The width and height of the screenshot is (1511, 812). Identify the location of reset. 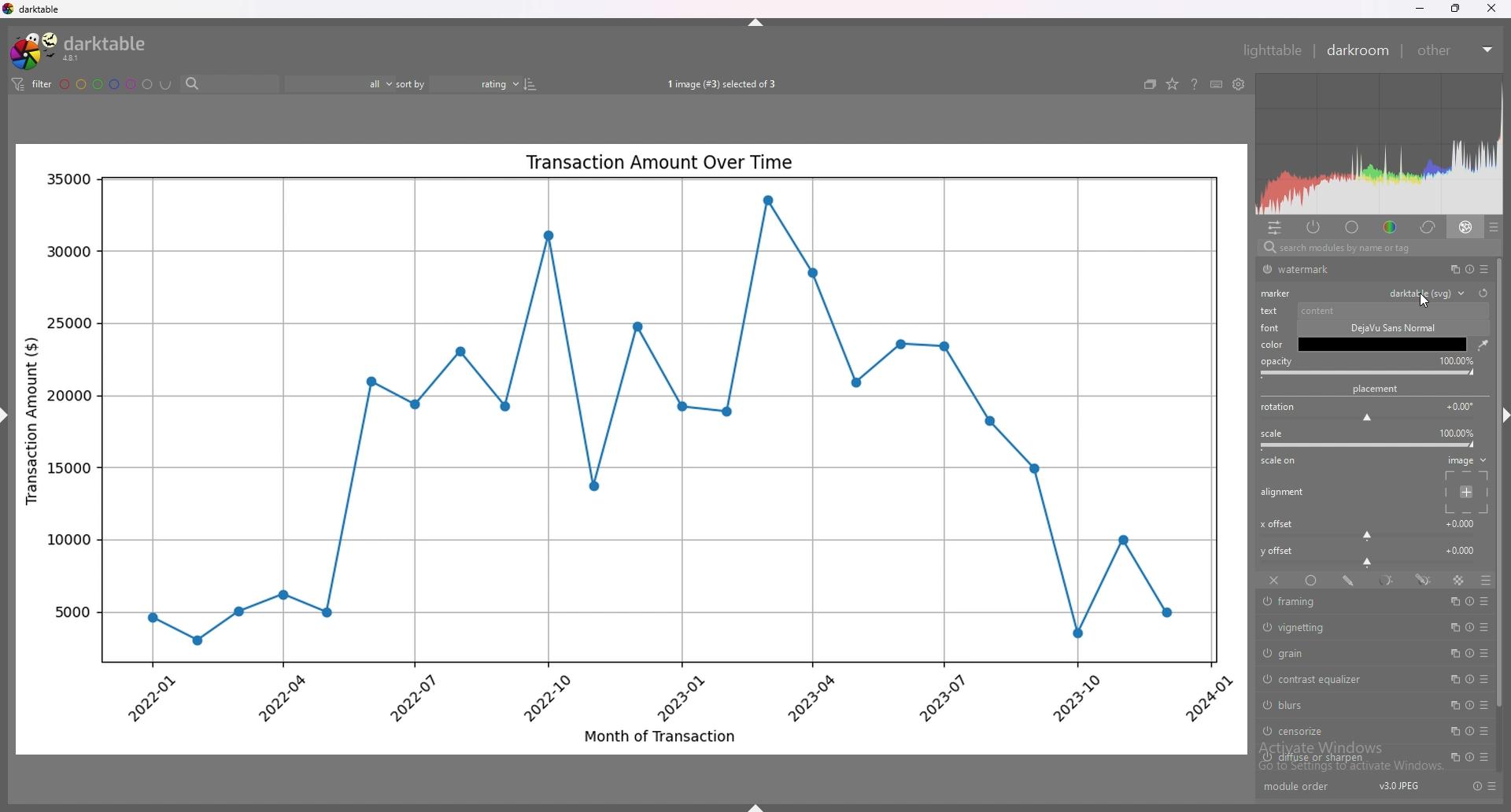
(1483, 293).